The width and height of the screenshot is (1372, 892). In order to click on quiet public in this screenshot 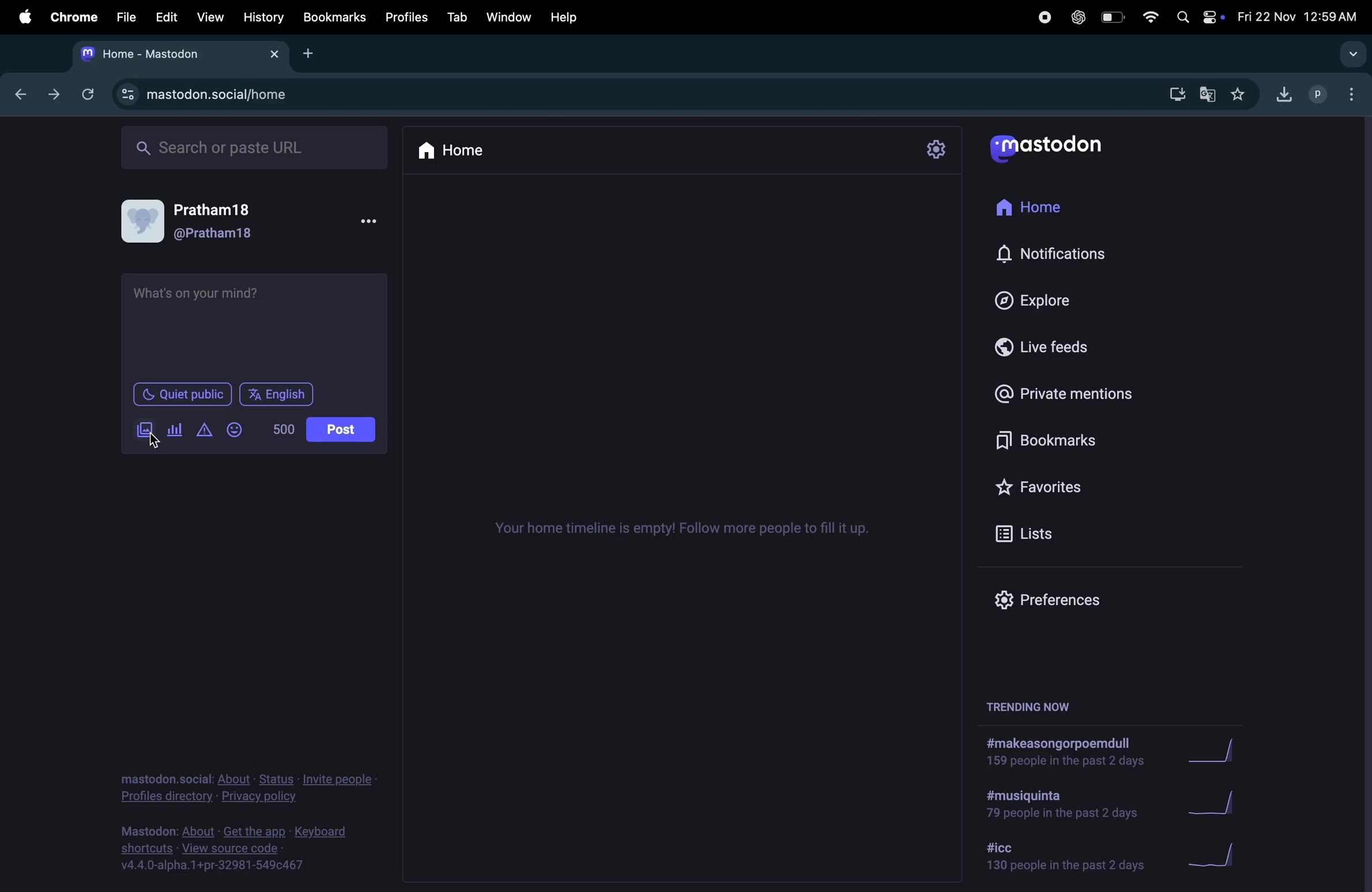, I will do `click(176, 393)`.